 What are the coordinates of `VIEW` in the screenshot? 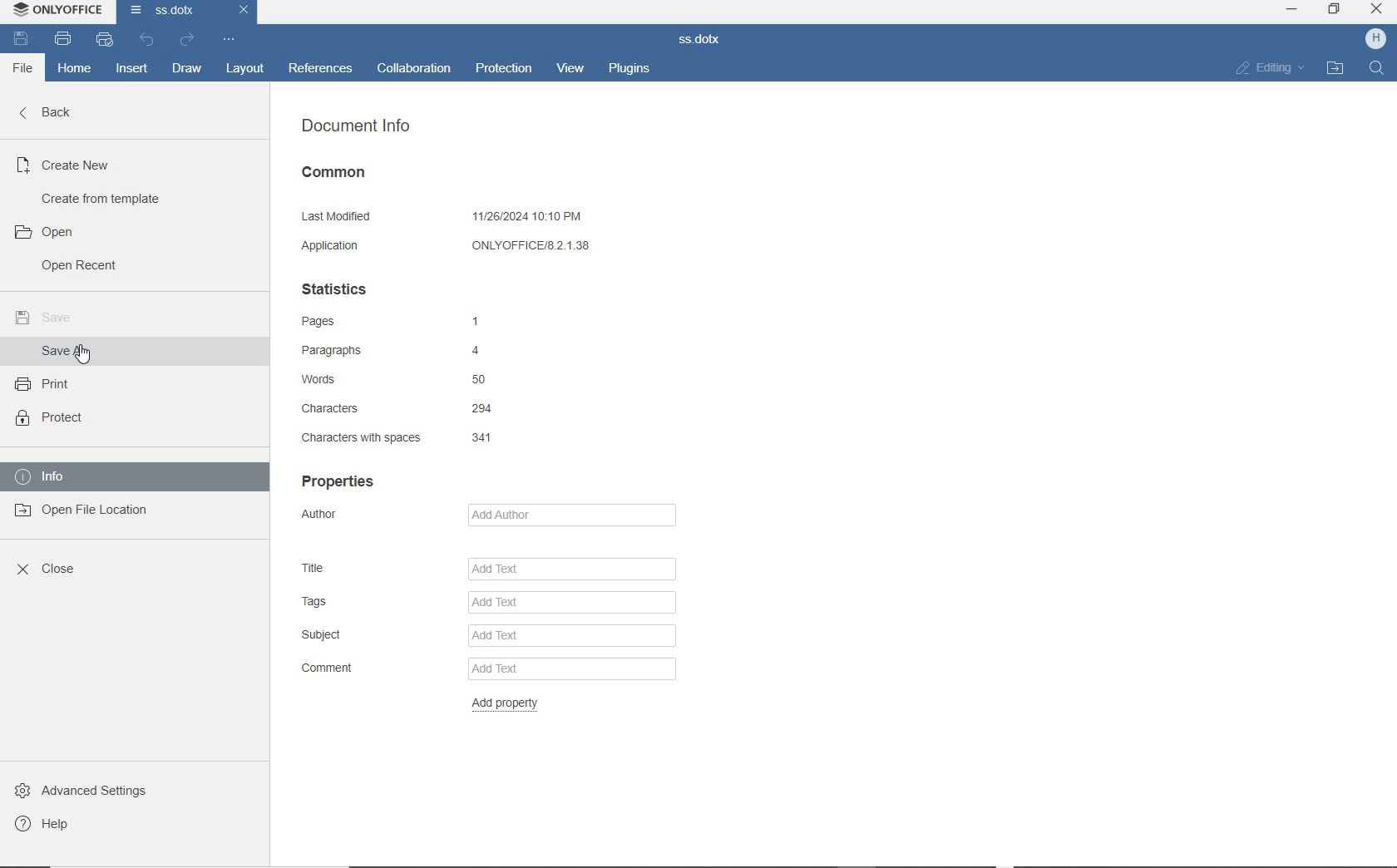 It's located at (572, 67).